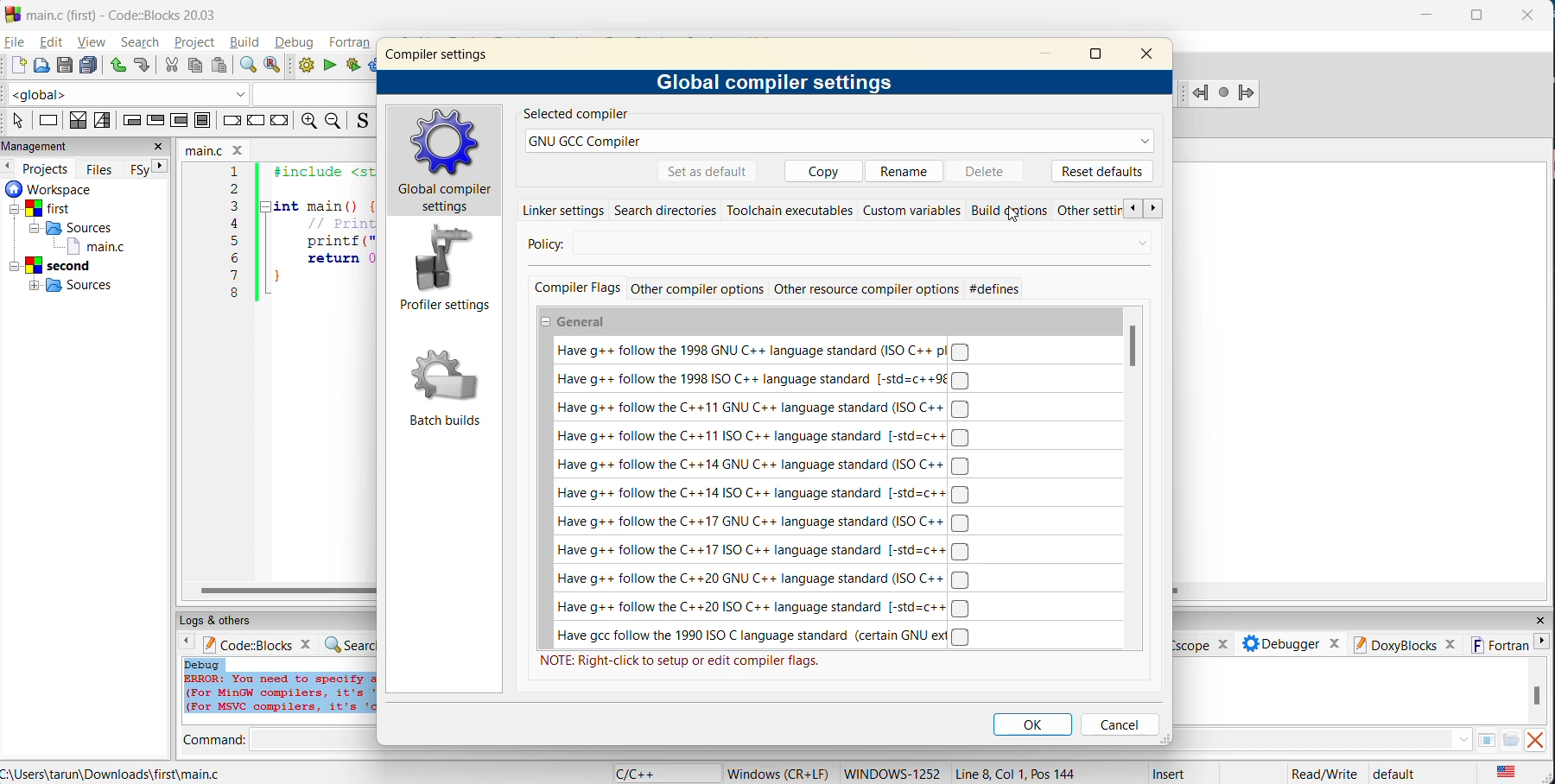 Image resolution: width=1555 pixels, height=784 pixels. Describe the element at coordinates (122, 772) in the screenshot. I see `C:\Users\tarun\Downloads\first\main.c` at that location.